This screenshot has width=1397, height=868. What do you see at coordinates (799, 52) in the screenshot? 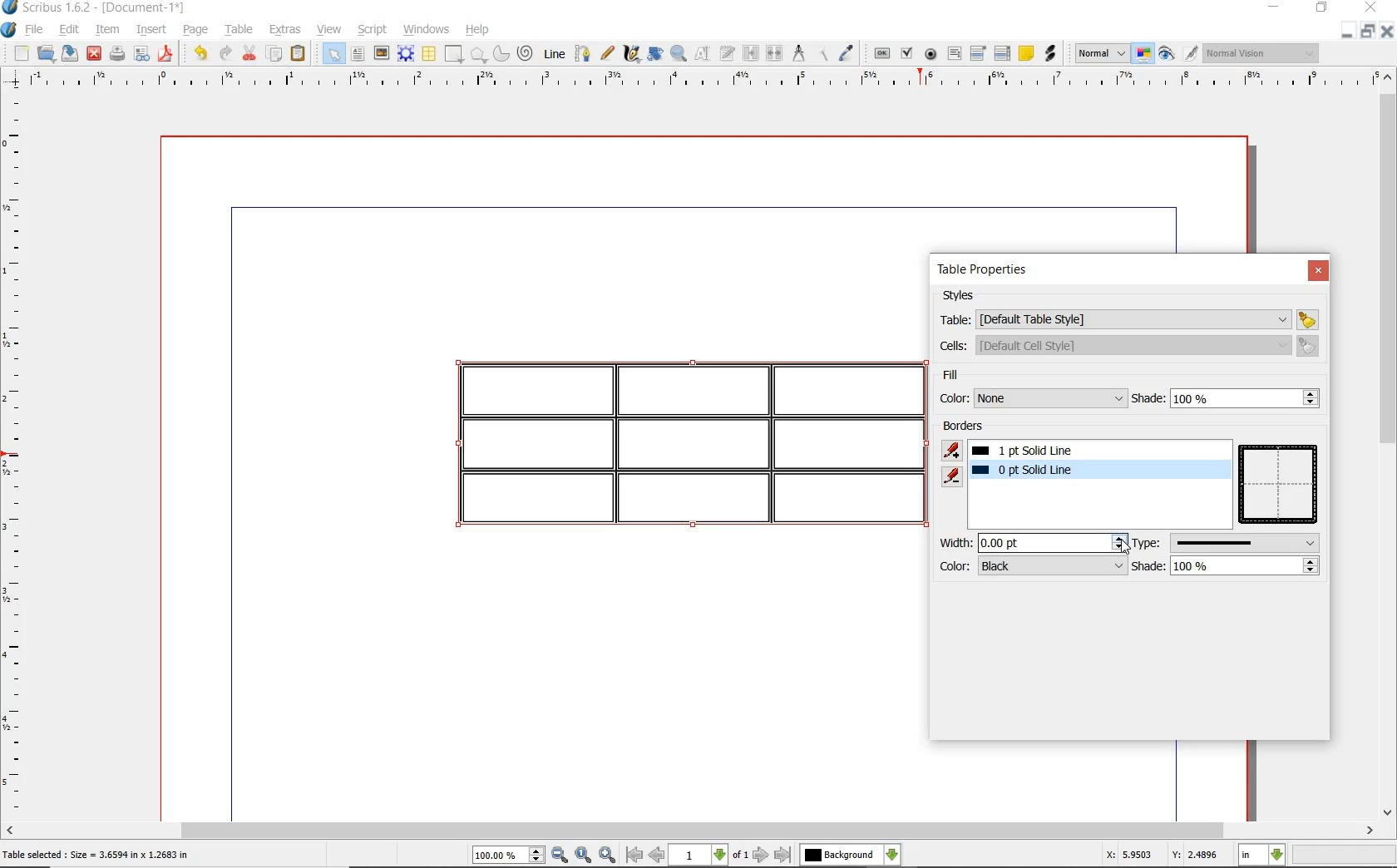
I see `measurements` at bounding box center [799, 52].